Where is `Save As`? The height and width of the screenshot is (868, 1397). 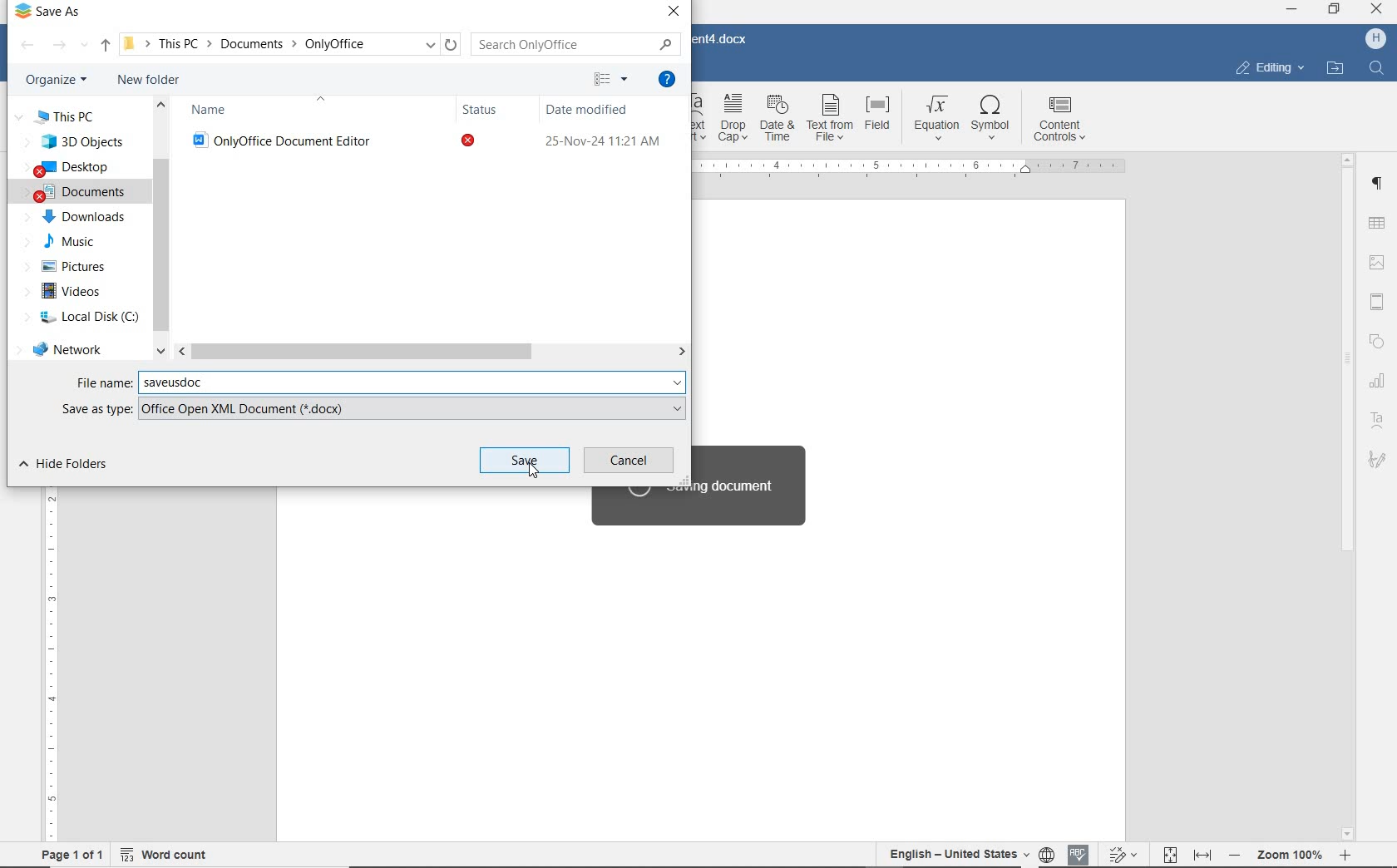
Save As is located at coordinates (49, 11).